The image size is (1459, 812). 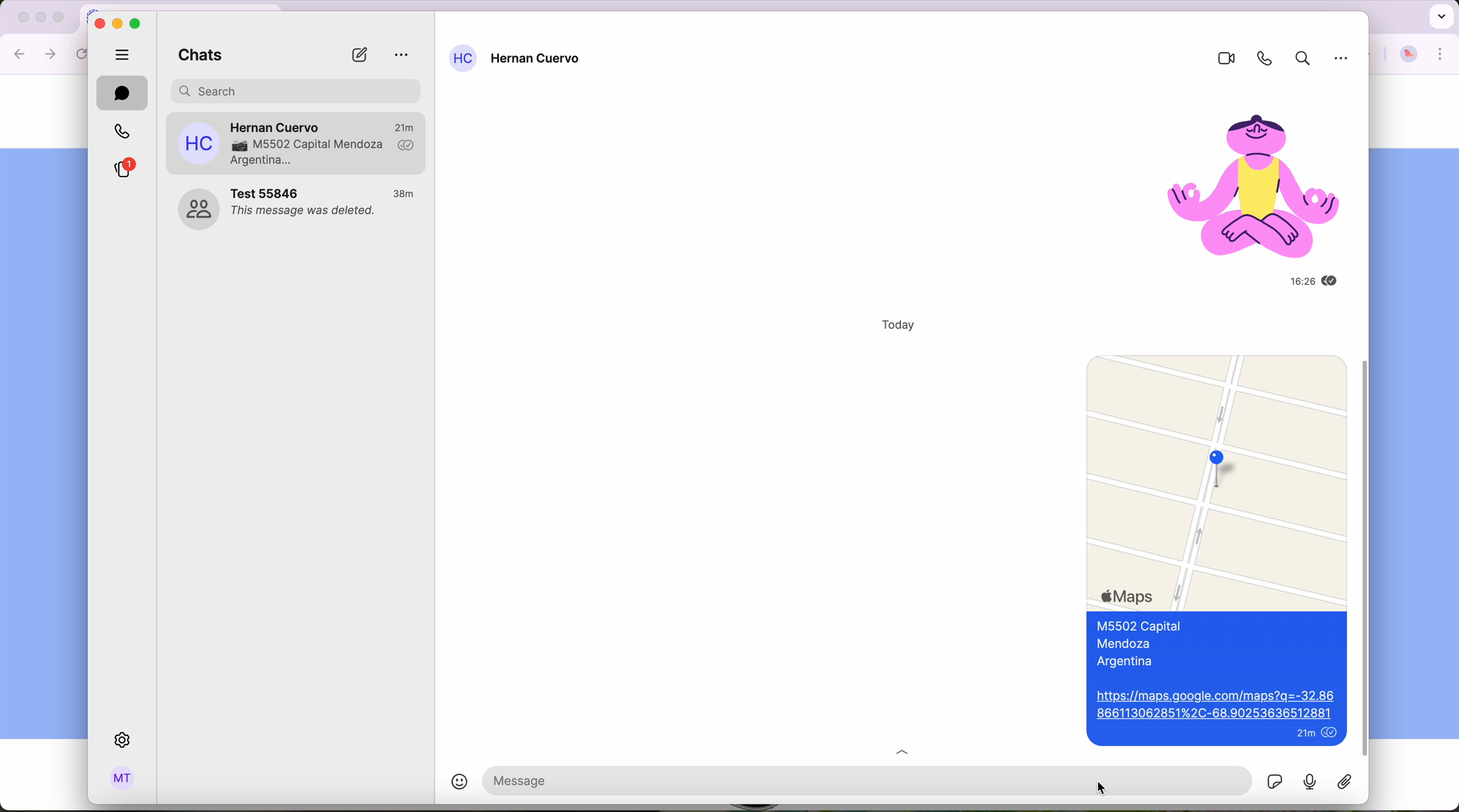 I want to click on 16:26, so click(x=1289, y=281).